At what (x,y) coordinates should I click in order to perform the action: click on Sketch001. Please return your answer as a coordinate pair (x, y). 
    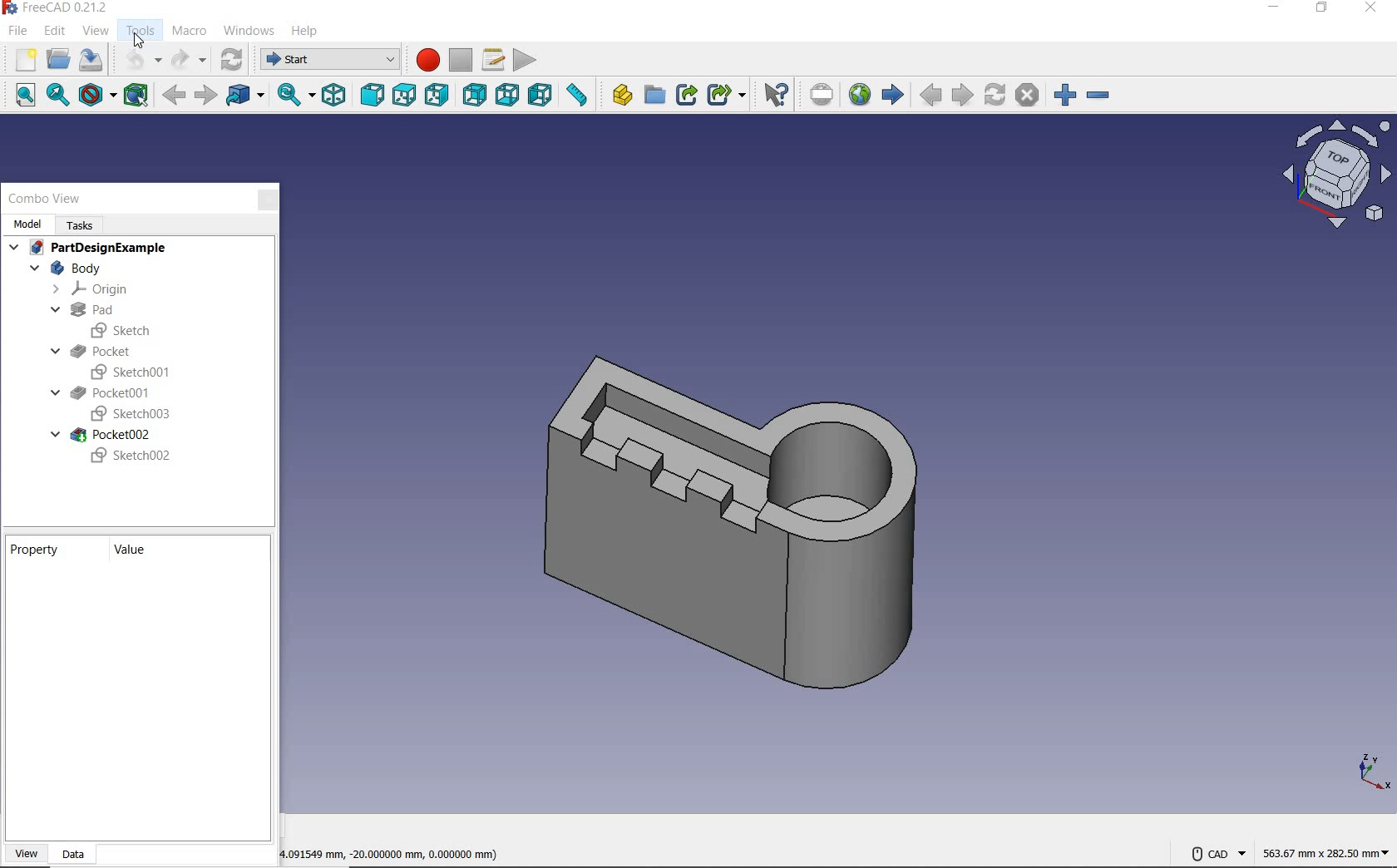
    Looking at the image, I should click on (134, 371).